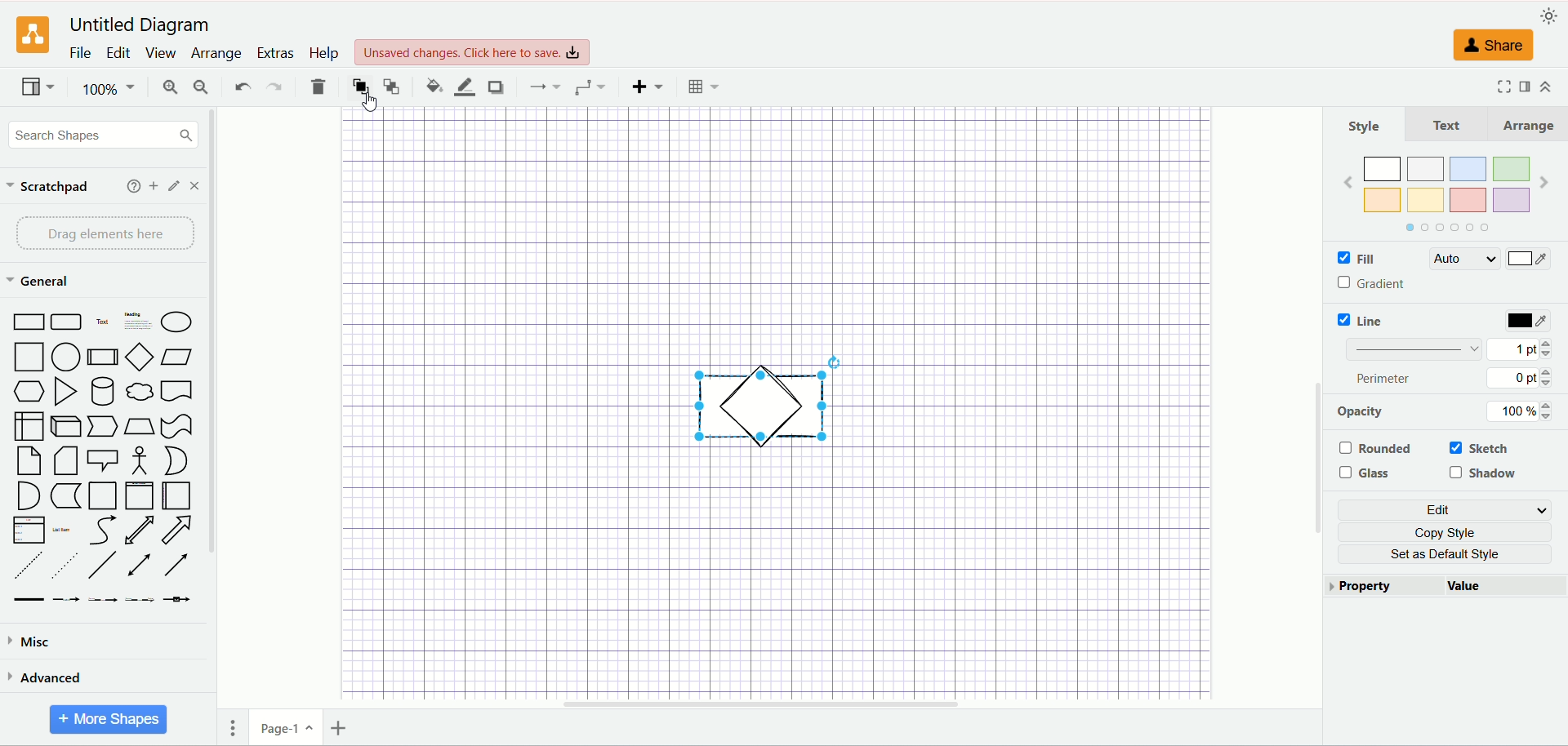 This screenshot has height=746, width=1568. What do you see at coordinates (140, 393) in the screenshot?
I see `Cloud` at bounding box center [140, 393].